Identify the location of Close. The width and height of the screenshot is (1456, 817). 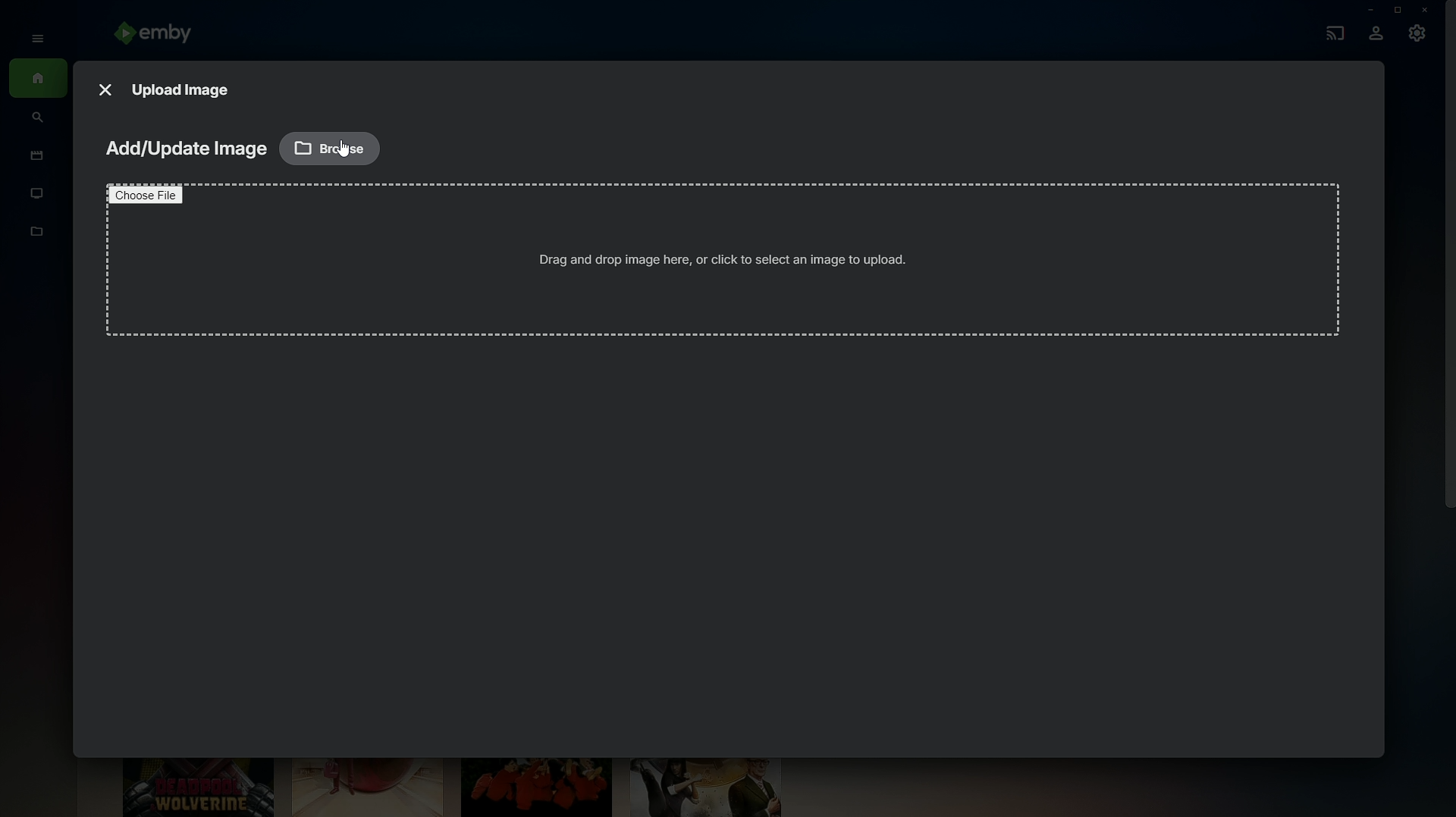
(105, 86).